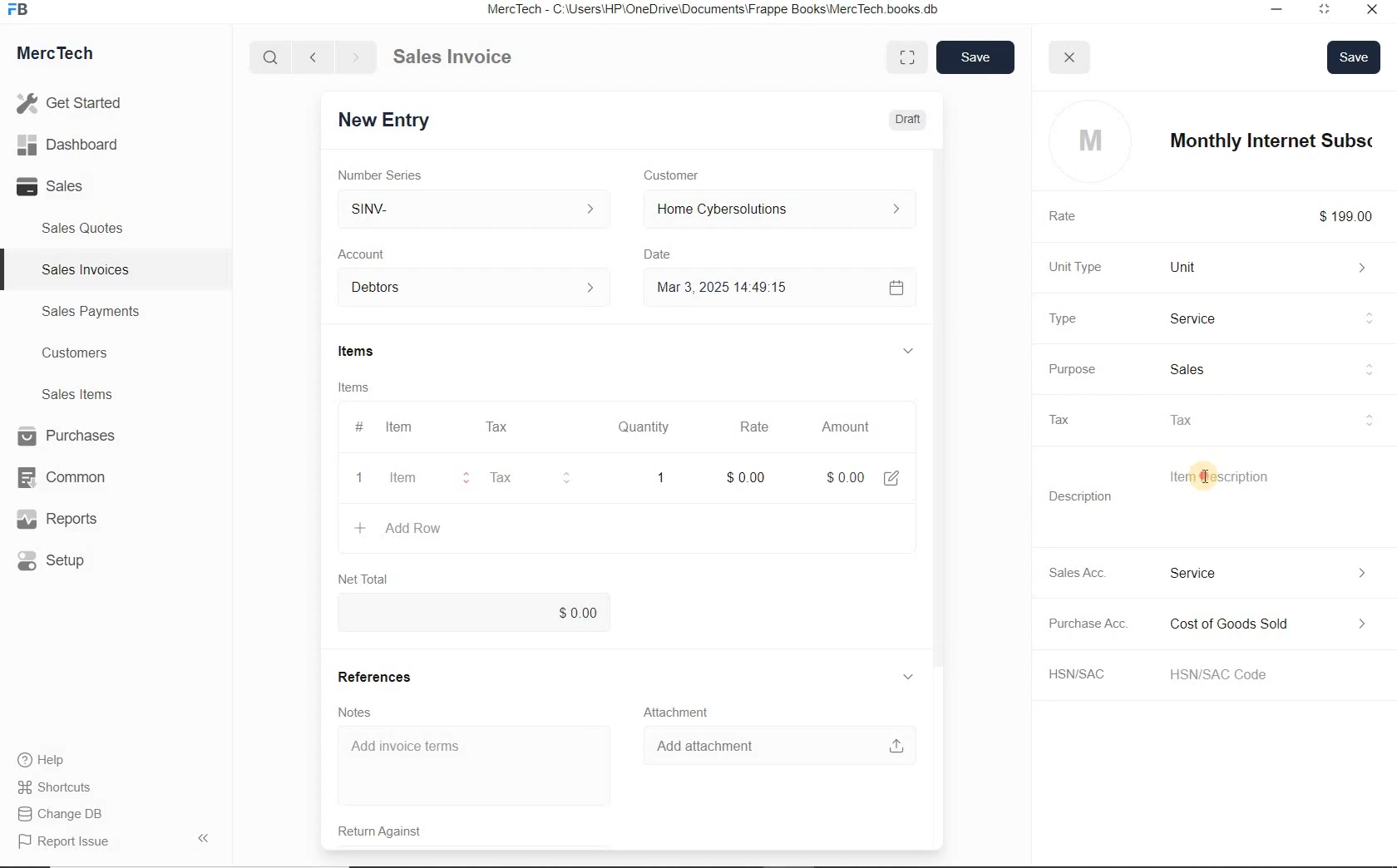 This screenshot has height=868, width=1397. I want to click on quatity: 1, so click(652, 476).